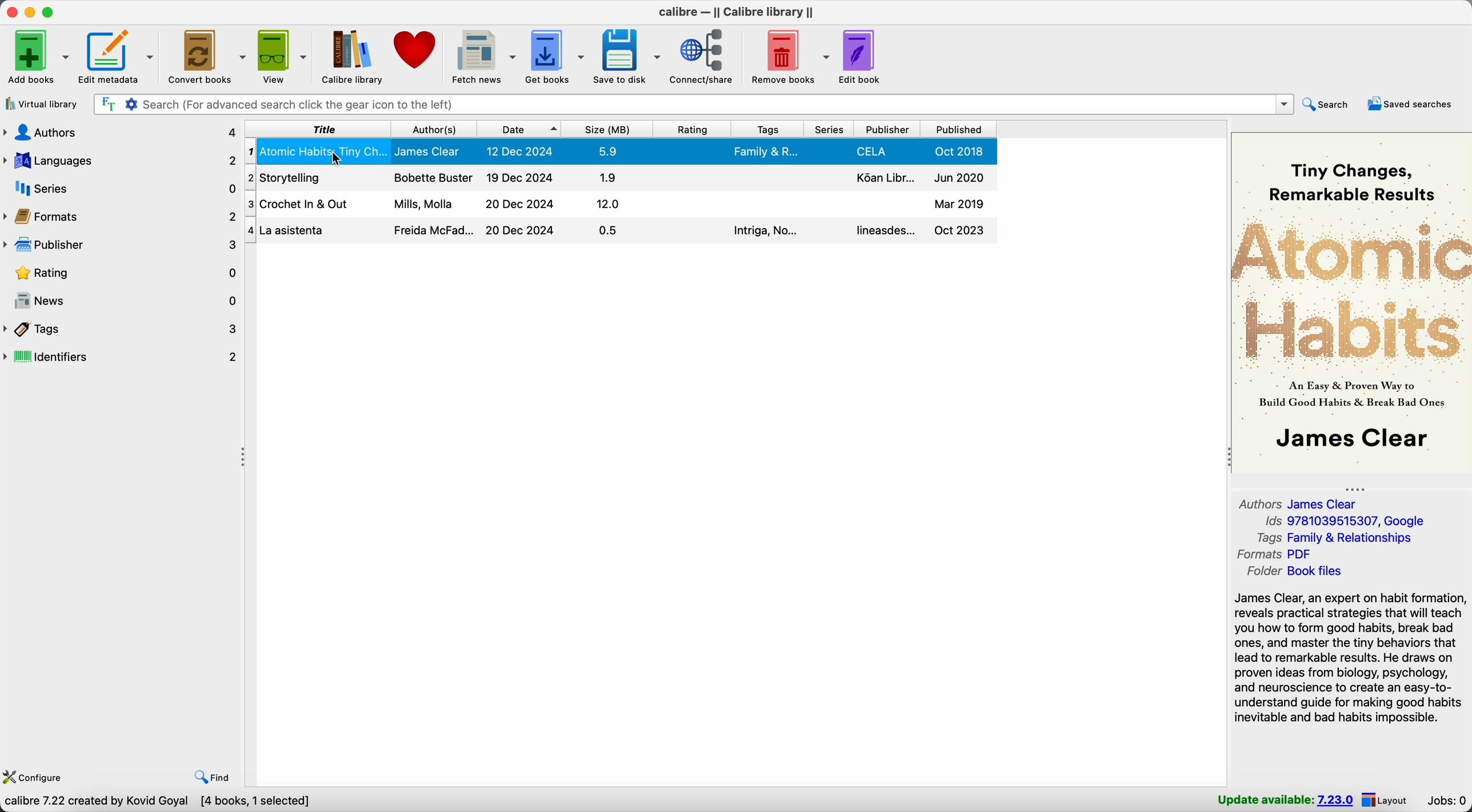 The width and height of the screenshot is (1472, 812). I want to click on saved searches, so click(1410, 103).